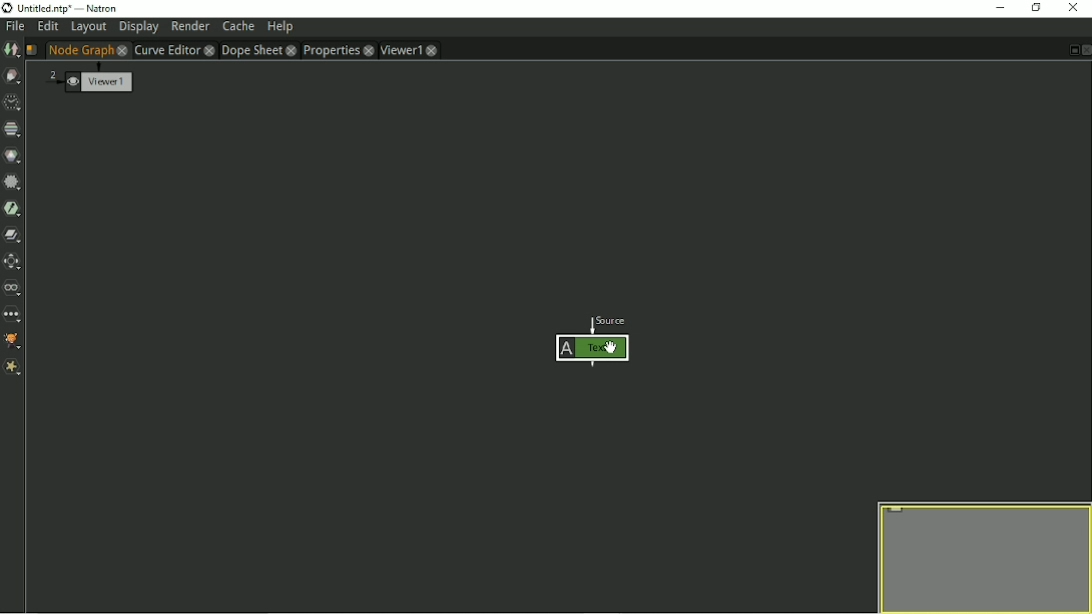 The image size is (1092, 614). What do you see at coordinates (330, 50) in the screenshot?
I see `Properties` at bounding box center [330, 50].